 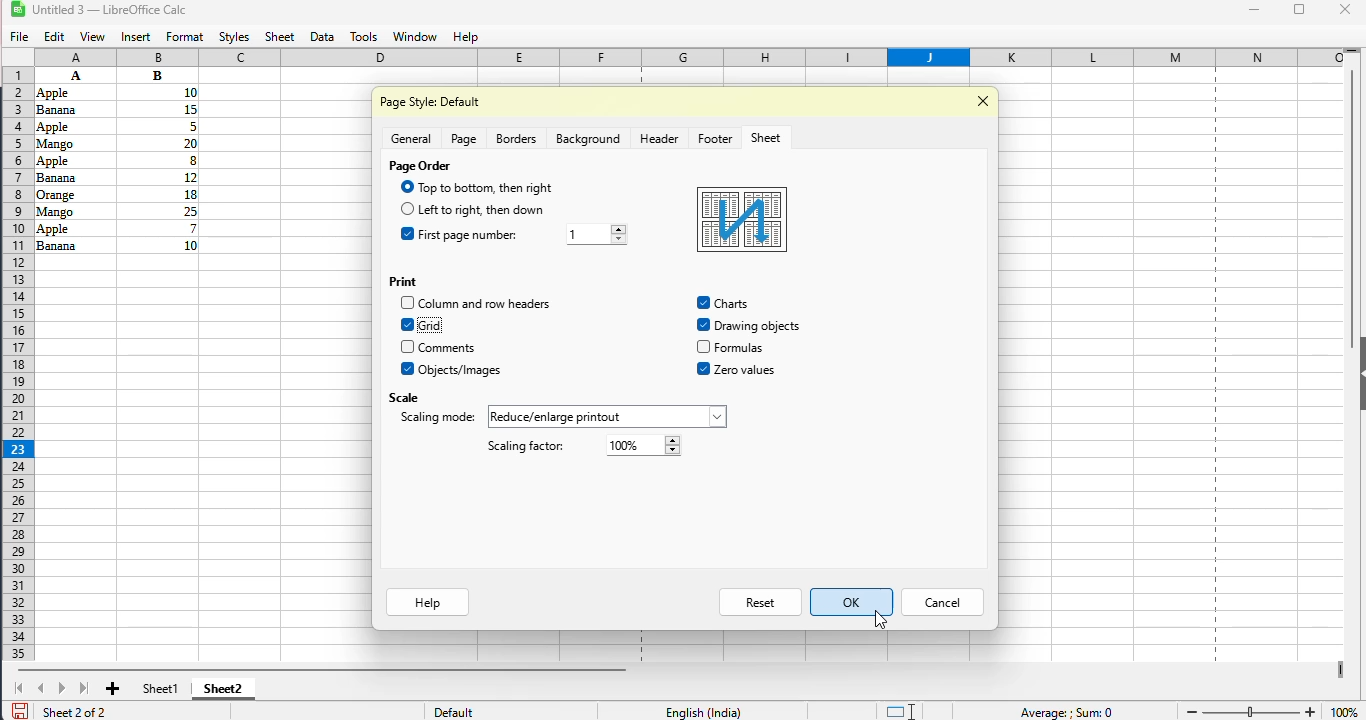 What do you see at coordinates (158, 126) in the screenshot?
I see `` at bounding box center [158, 126].